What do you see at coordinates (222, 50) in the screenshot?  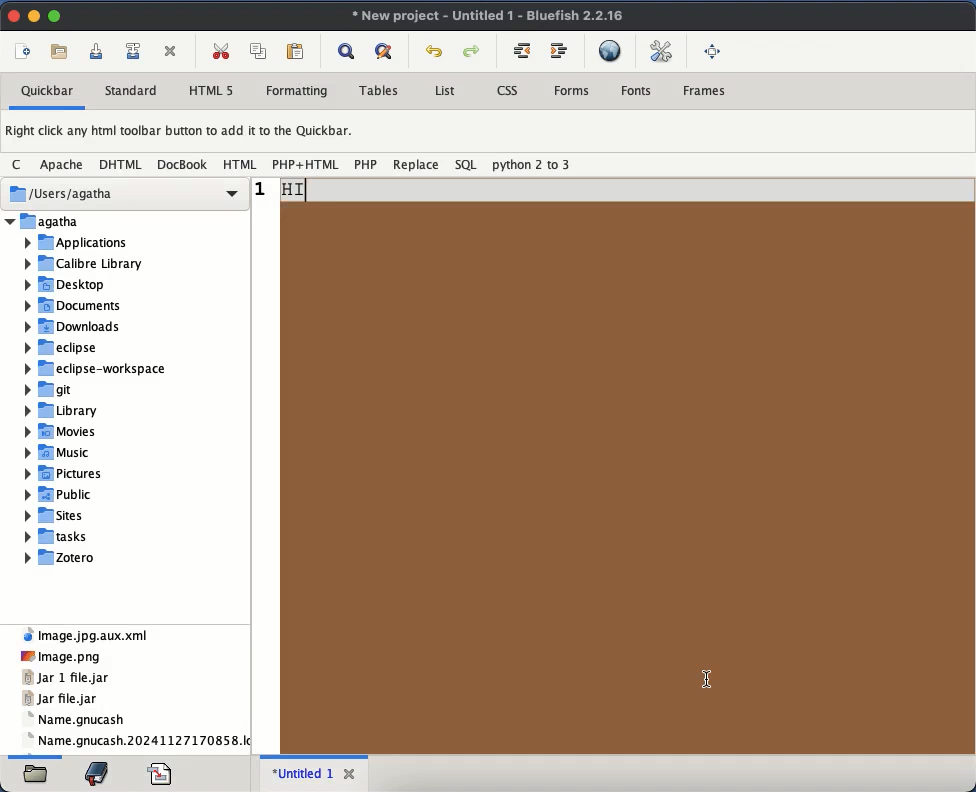 I see `cut` at bounding box center [222, 50].